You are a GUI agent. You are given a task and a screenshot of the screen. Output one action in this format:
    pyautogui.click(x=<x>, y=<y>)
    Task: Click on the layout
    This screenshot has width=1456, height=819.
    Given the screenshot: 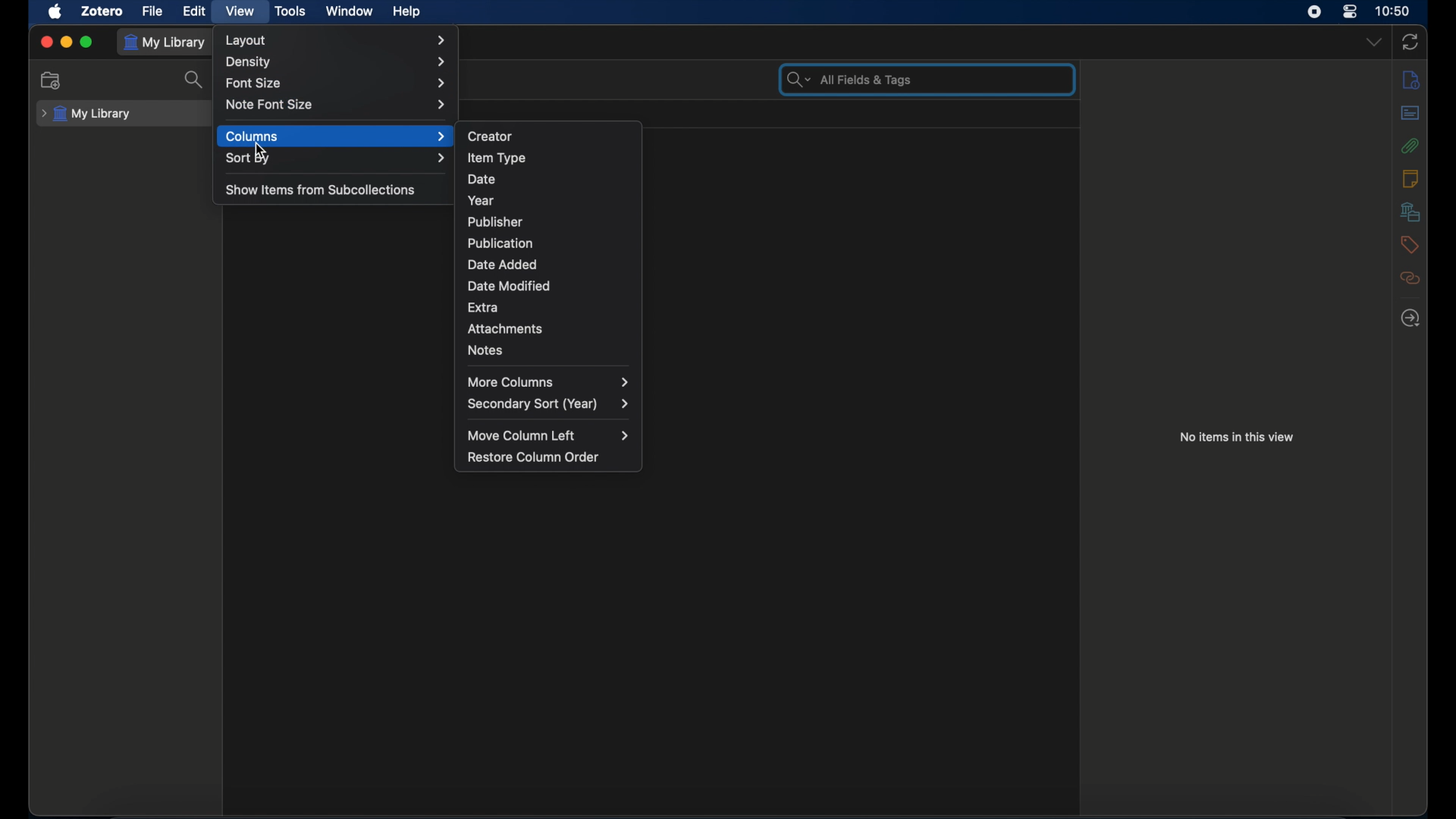 What is the action you would take?
    pyautogui.click(x=336, y=40)
    